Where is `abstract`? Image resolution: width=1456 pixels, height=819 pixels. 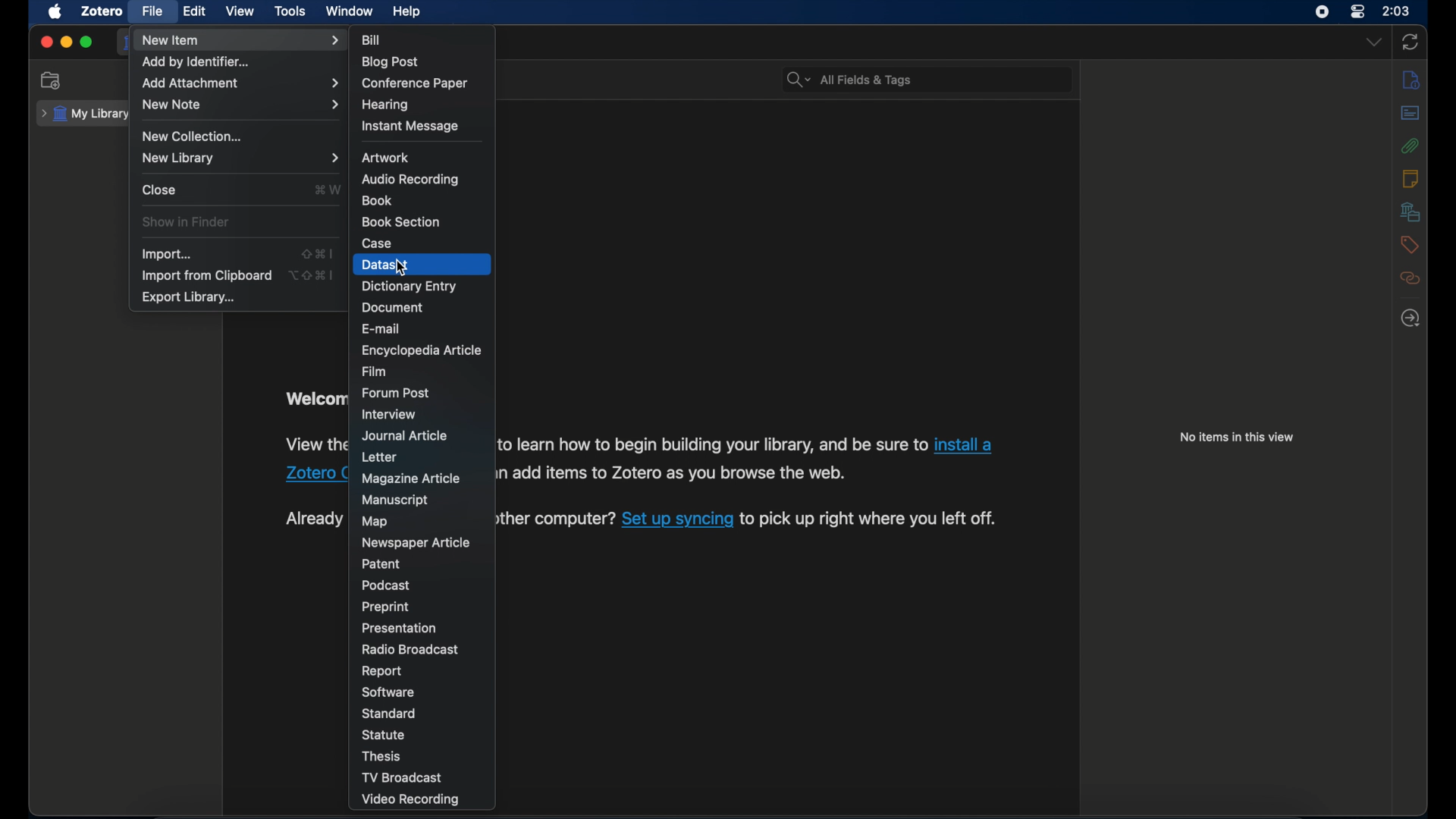 abstract is located at coordinates (1410, 113).